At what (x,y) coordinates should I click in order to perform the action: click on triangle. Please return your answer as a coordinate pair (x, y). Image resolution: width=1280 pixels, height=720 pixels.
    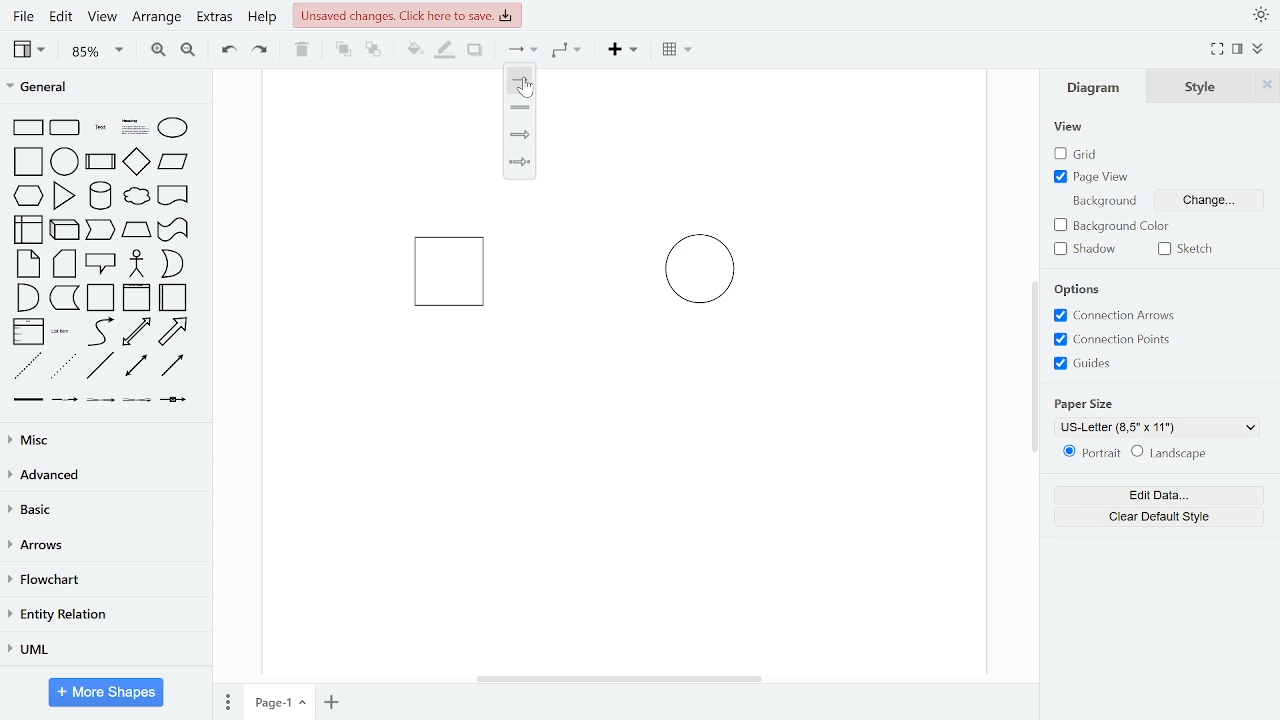
    Looking at the image, I should click on (65, 195).